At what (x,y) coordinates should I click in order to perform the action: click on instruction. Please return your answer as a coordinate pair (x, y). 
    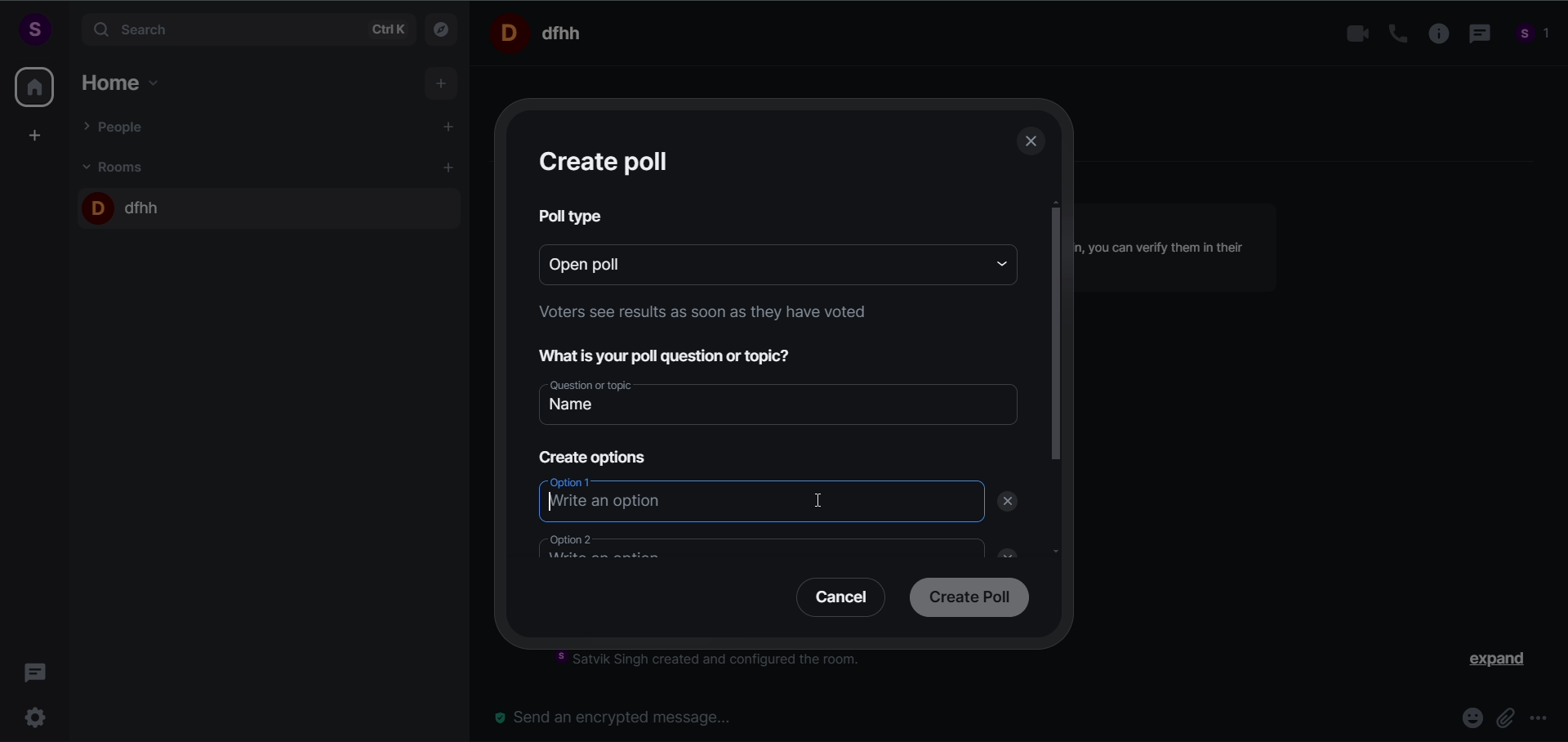
    Looking at the image, I should click on (719, 662).